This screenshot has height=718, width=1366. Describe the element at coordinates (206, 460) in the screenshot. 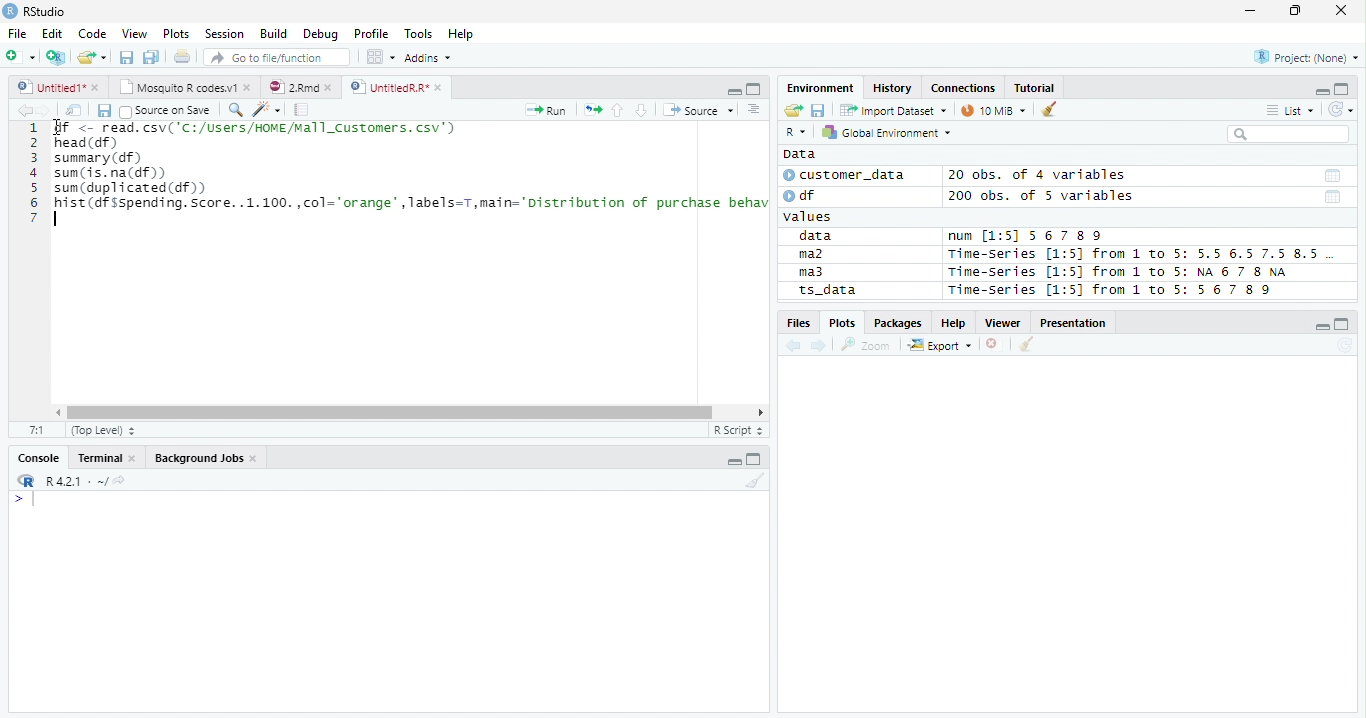

I see `Background jobs` at that location.